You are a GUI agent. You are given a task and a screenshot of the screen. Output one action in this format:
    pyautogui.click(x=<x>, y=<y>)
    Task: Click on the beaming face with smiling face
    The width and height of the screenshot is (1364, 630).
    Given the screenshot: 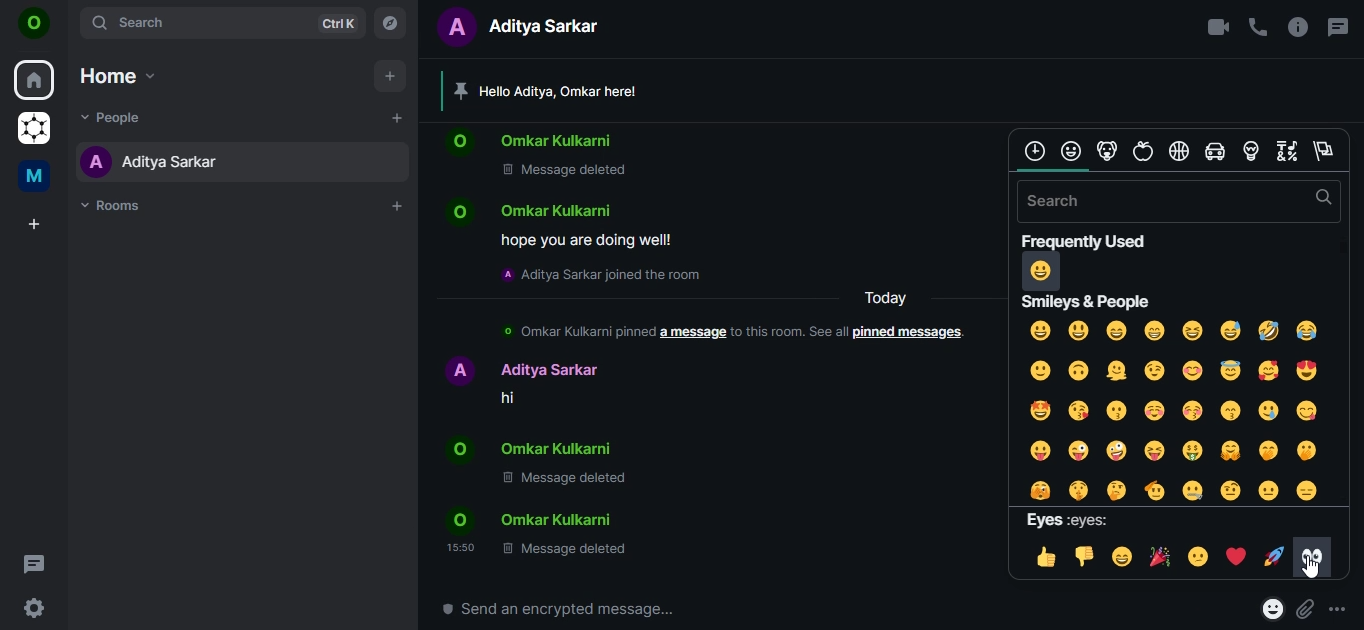 What is the action you would take?
    pyautogui.click(x=1154, y=331)
    